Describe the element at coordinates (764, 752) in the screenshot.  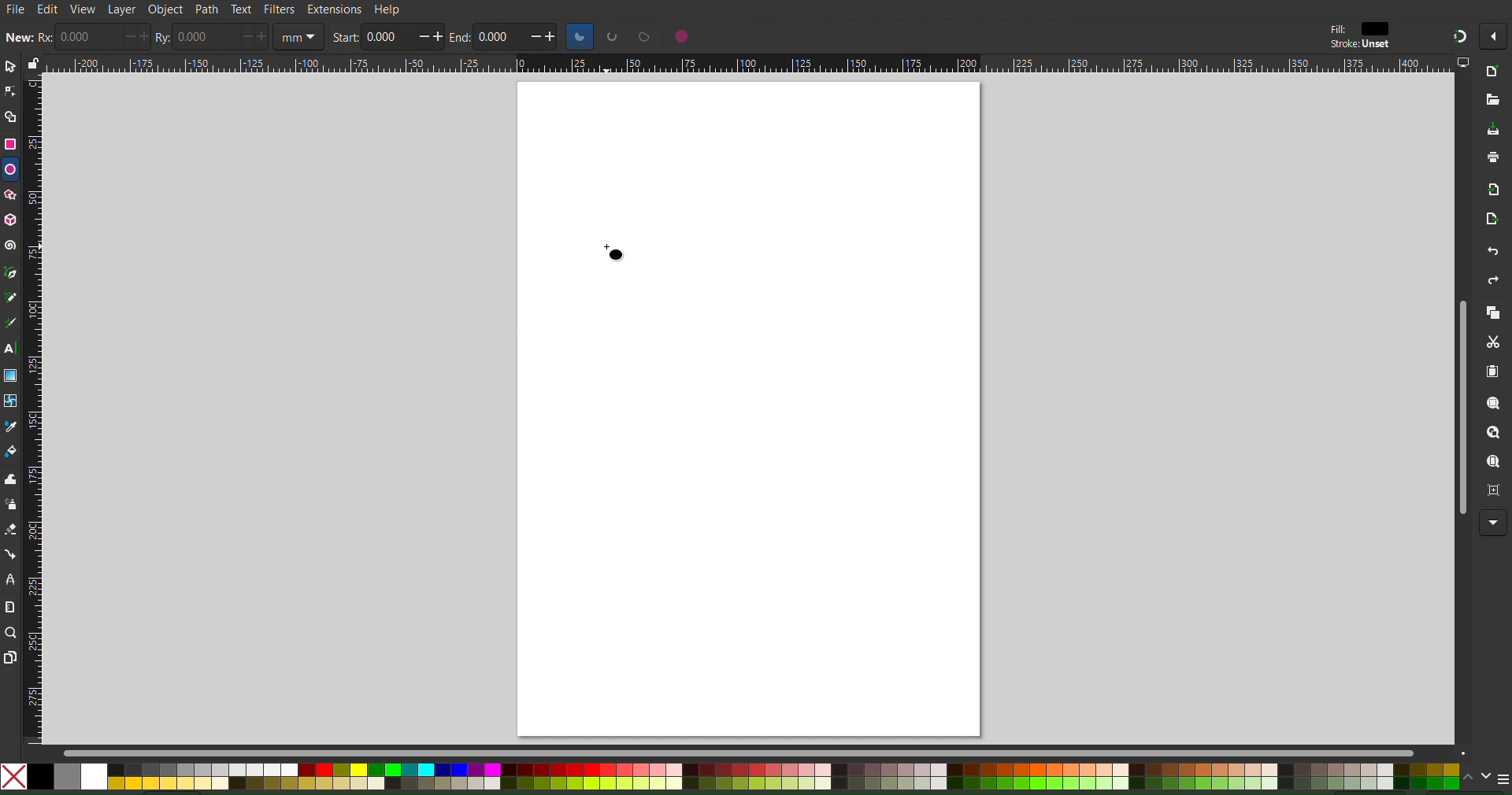
I see `Scrollbar` at that location.